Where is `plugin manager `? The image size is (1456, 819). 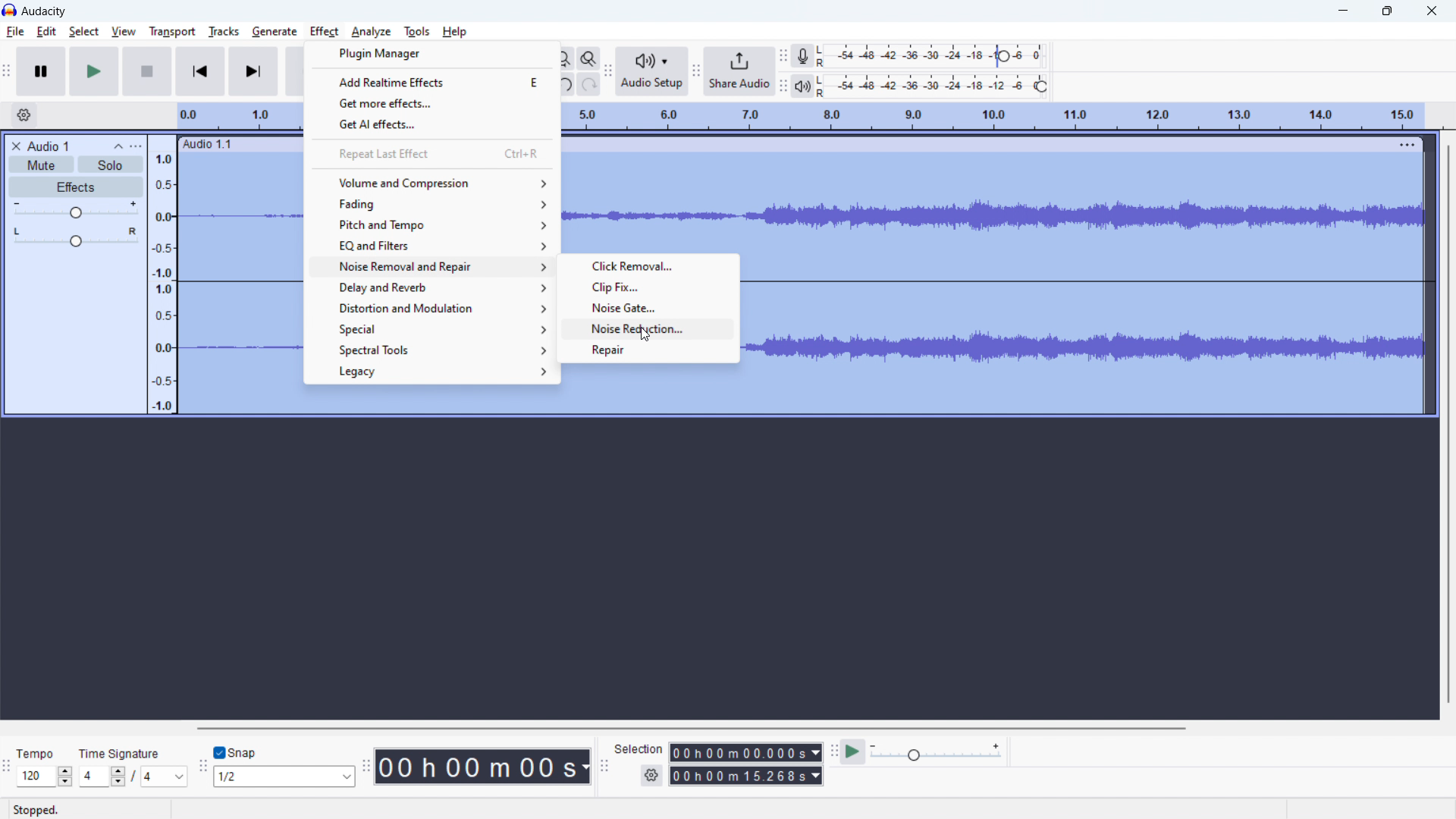 plugin manager  is located at coordinates (432, 54).